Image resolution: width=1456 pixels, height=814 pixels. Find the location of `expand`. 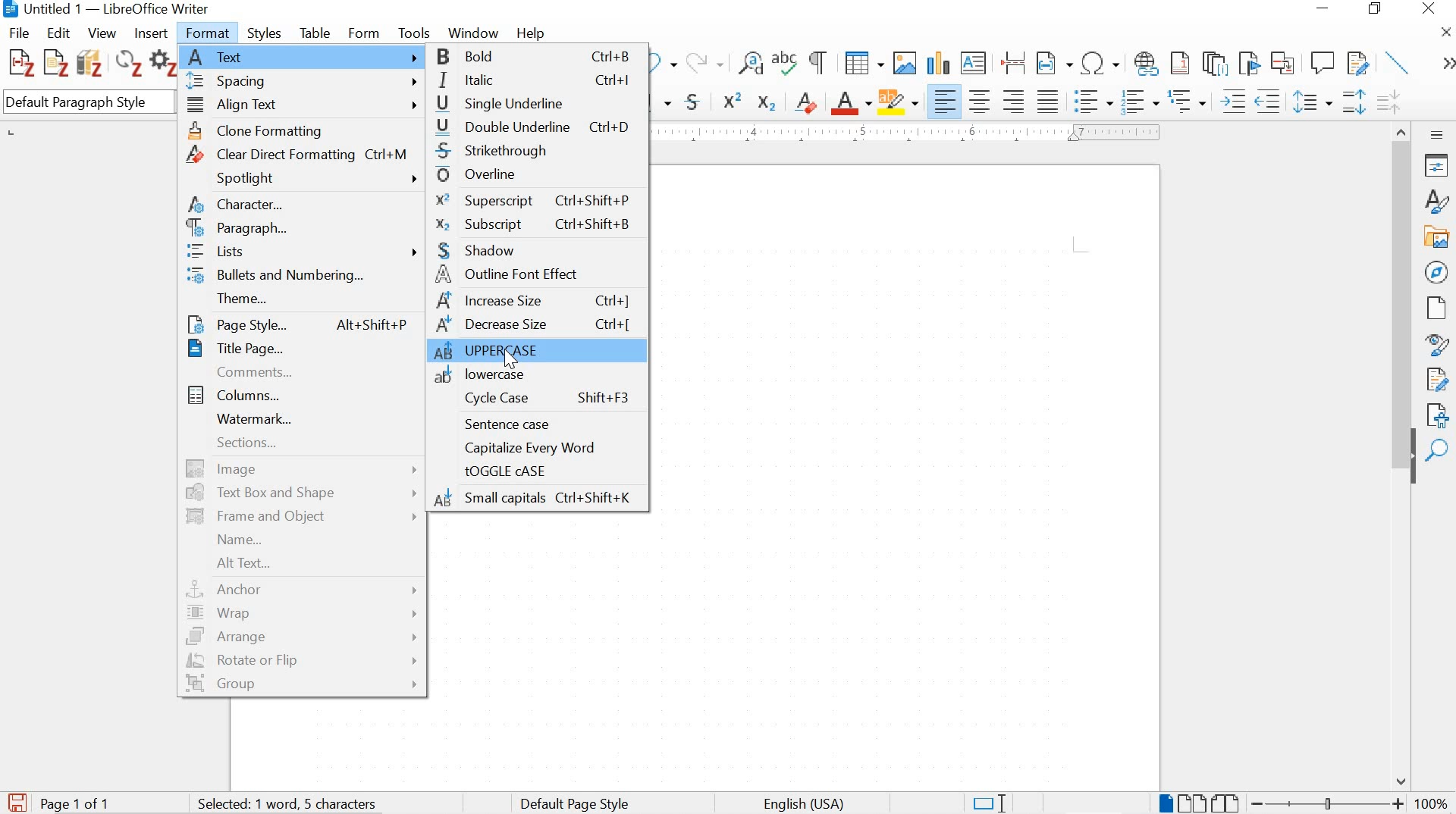

expand is located at coordinates (1445, 64).